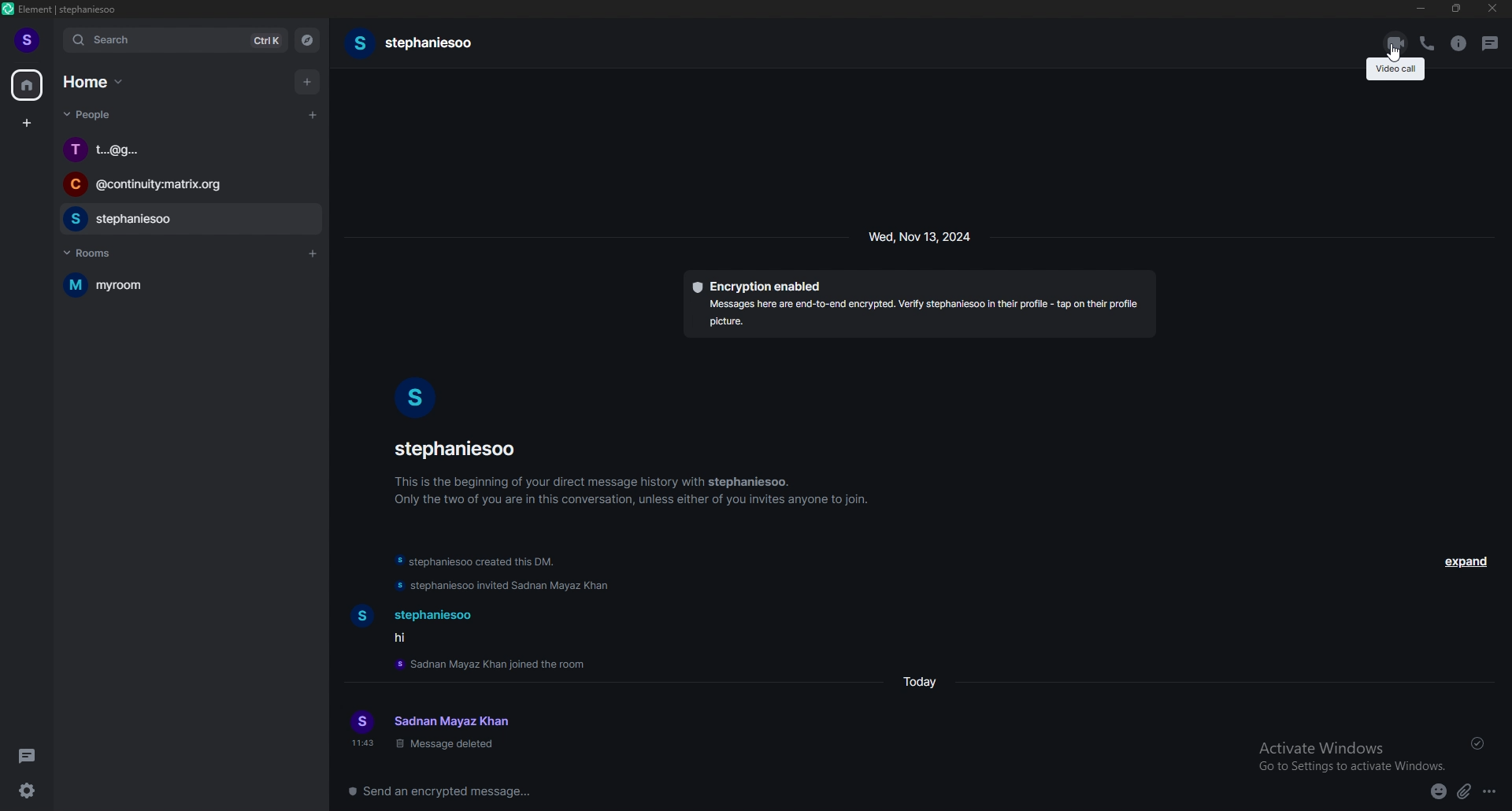 The height and width of the screenshot is (811, 1512). I want to click on theads, so click(28, 756).